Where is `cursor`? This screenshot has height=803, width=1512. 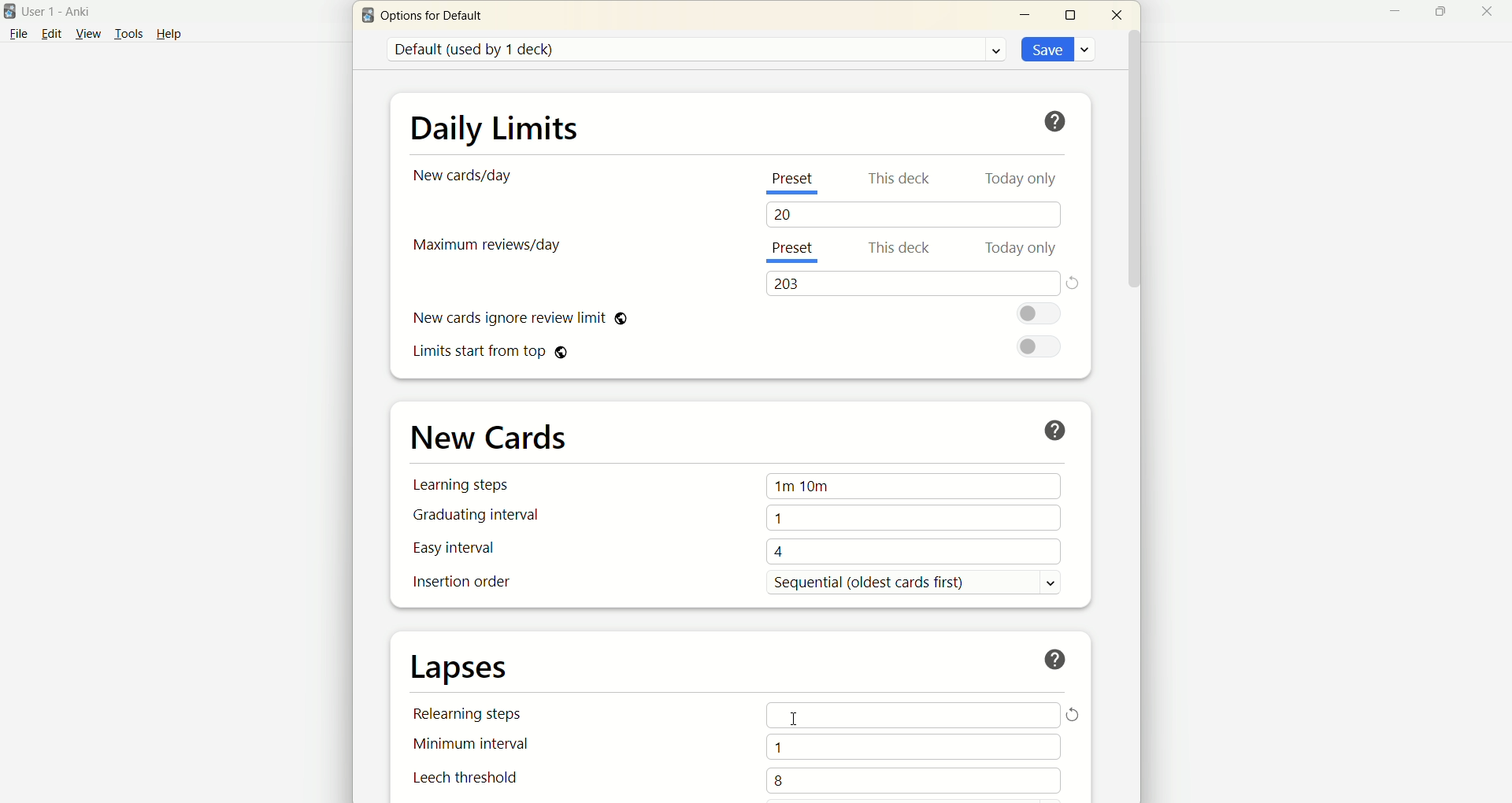
cursor is located at coordinates (787, 717).